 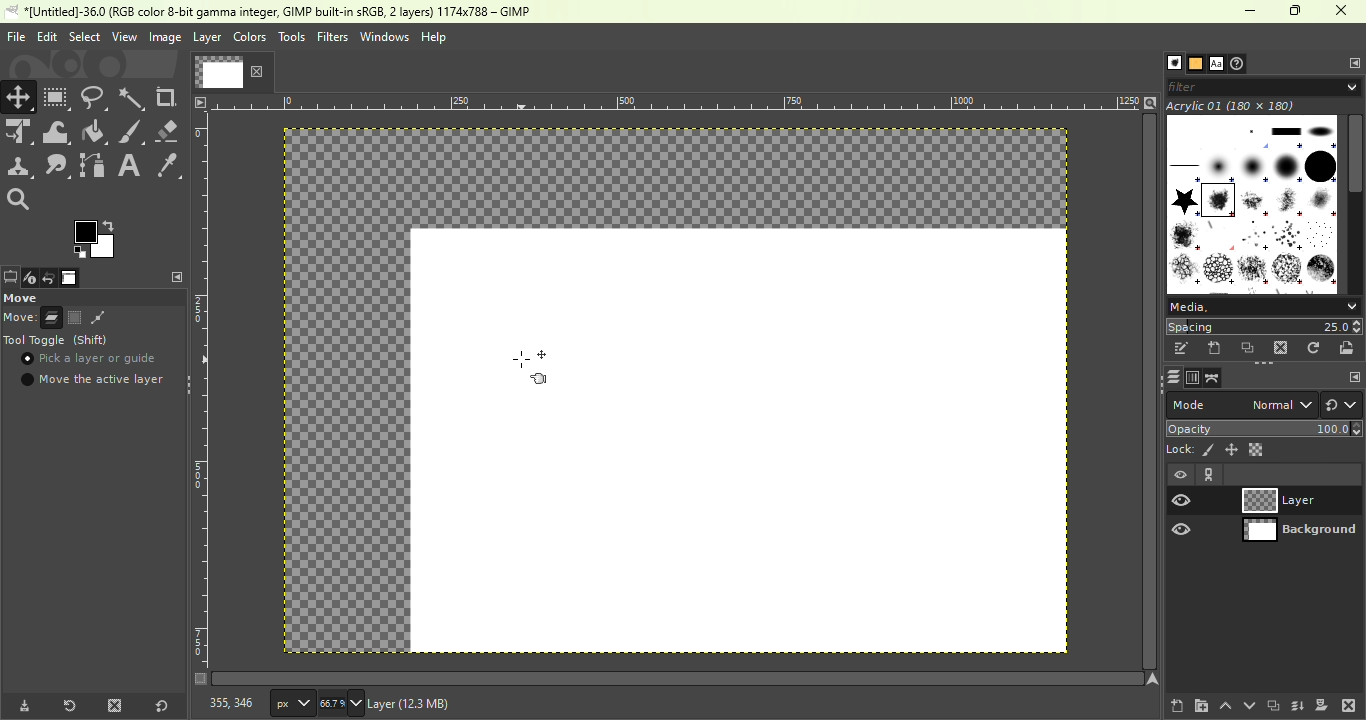 I want to click on Eraser tool, so click(x=169, y=131).